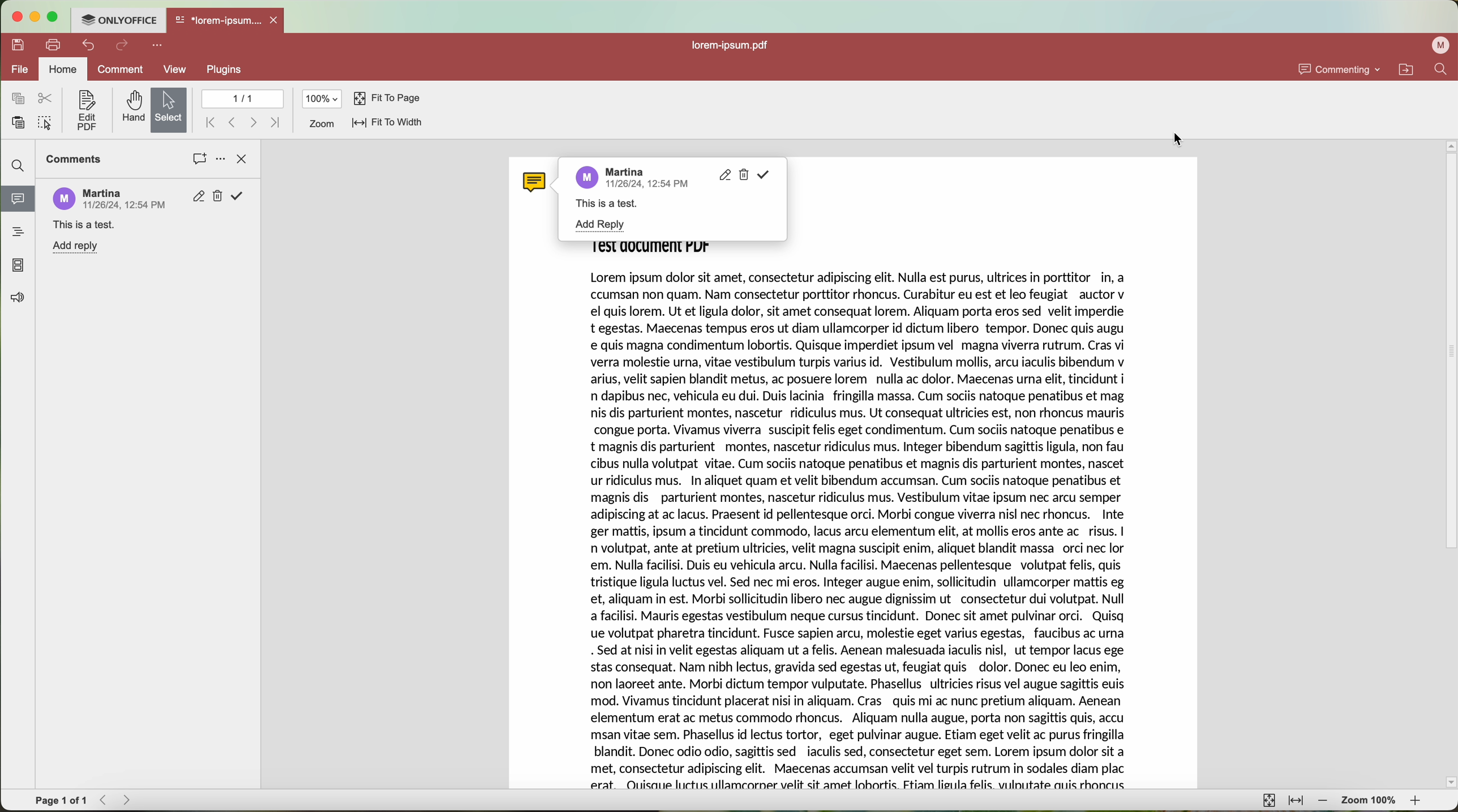 The image size is (1458, 812). Describe the element at coordinates (17, 201) in the screenshot. I see `click on comments` at that location.